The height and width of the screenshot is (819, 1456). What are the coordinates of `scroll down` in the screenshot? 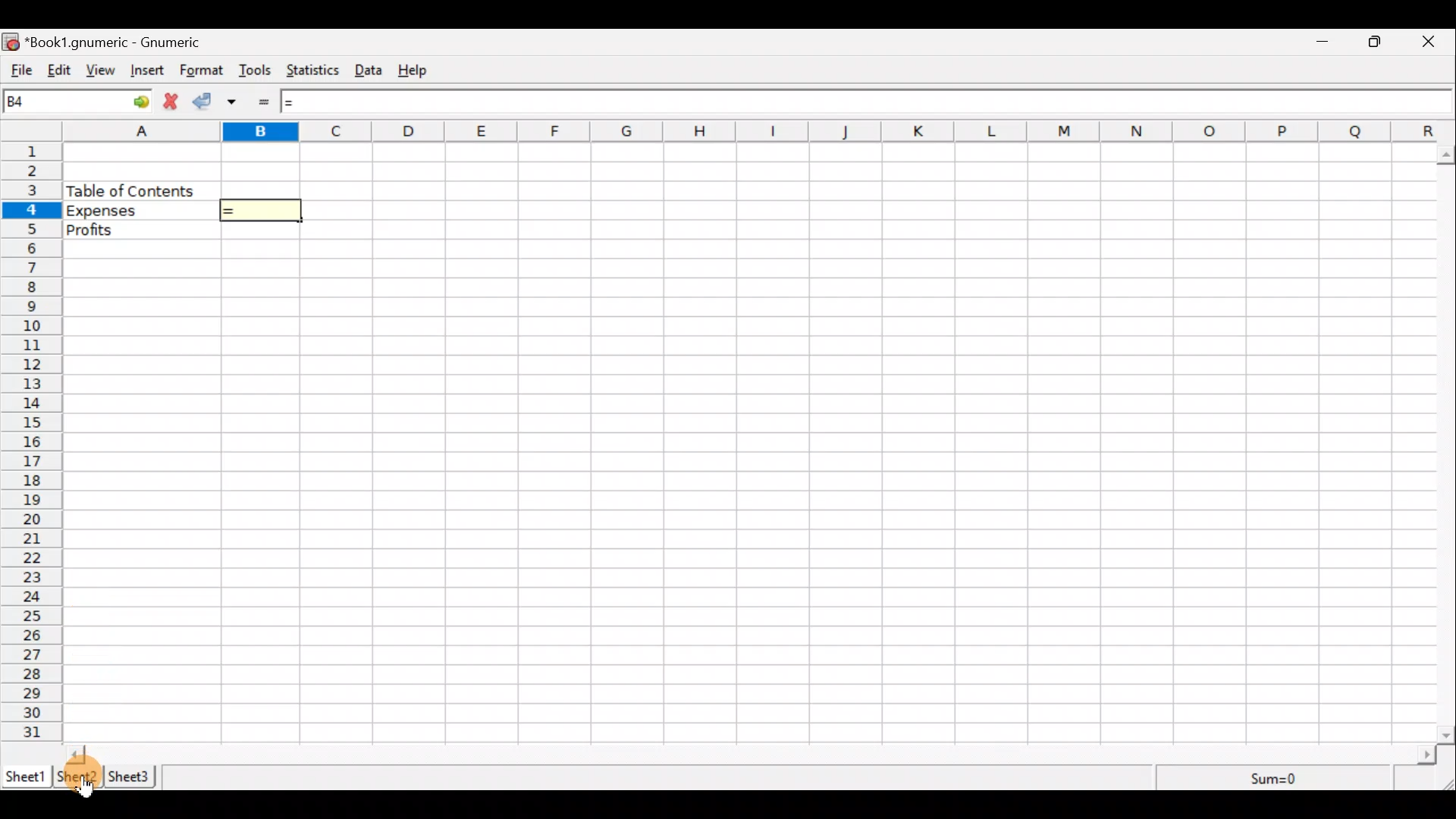 It's located at (1447, 735).